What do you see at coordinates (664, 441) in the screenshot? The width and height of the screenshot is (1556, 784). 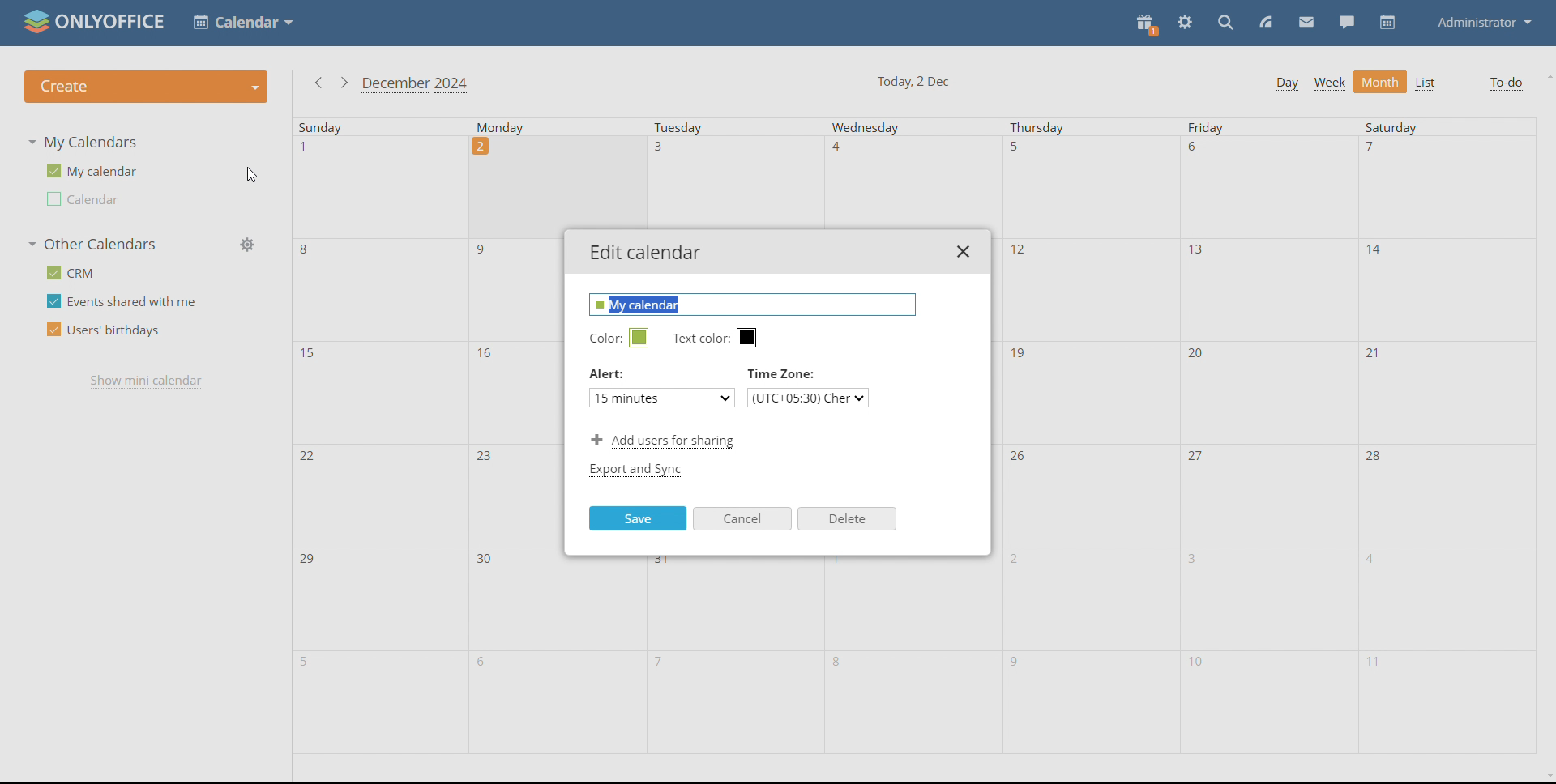 I see `add users for sharing` at bounding box center [664, 441].